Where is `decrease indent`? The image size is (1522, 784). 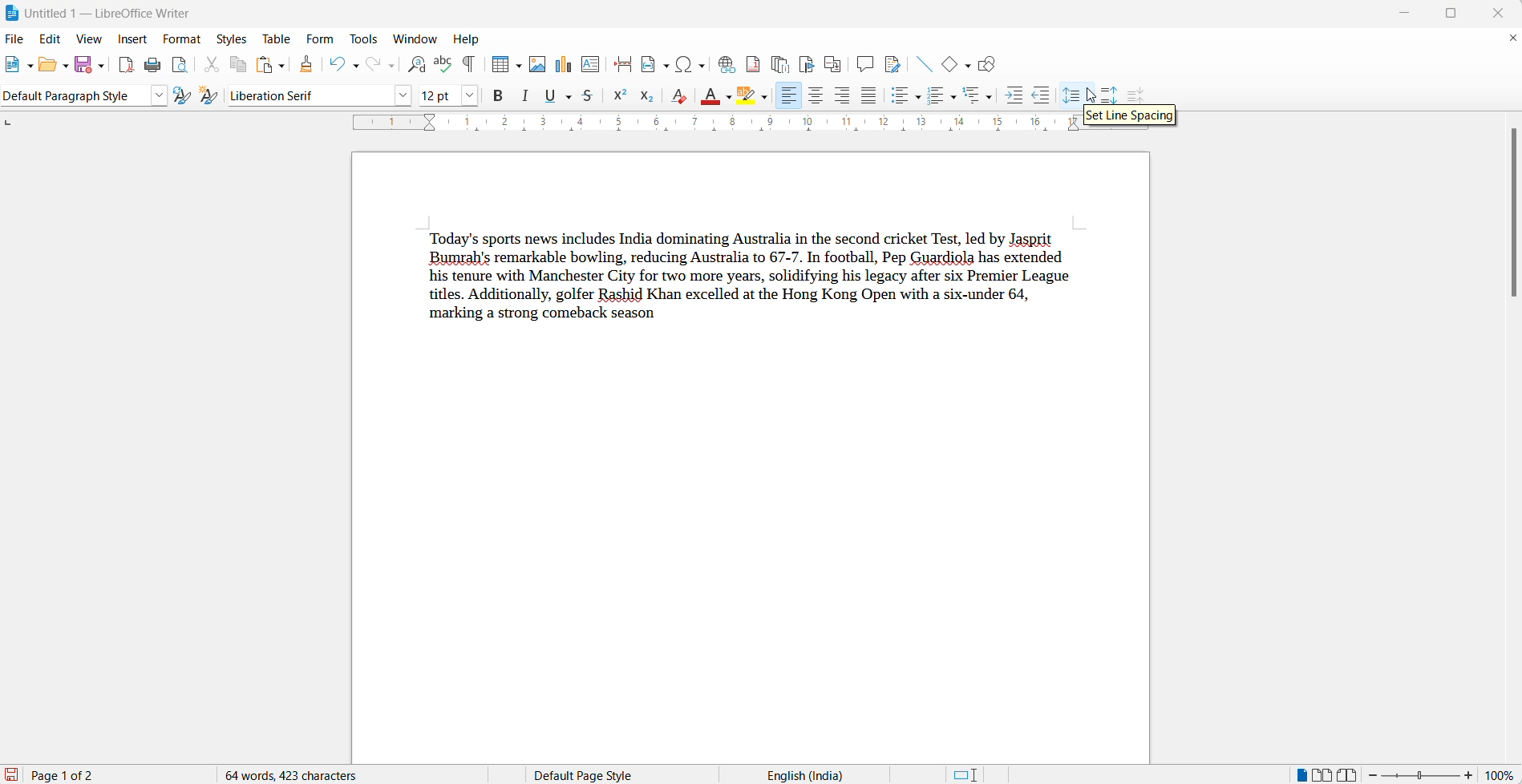 decrease indent is located at coordinates (1044, 95).